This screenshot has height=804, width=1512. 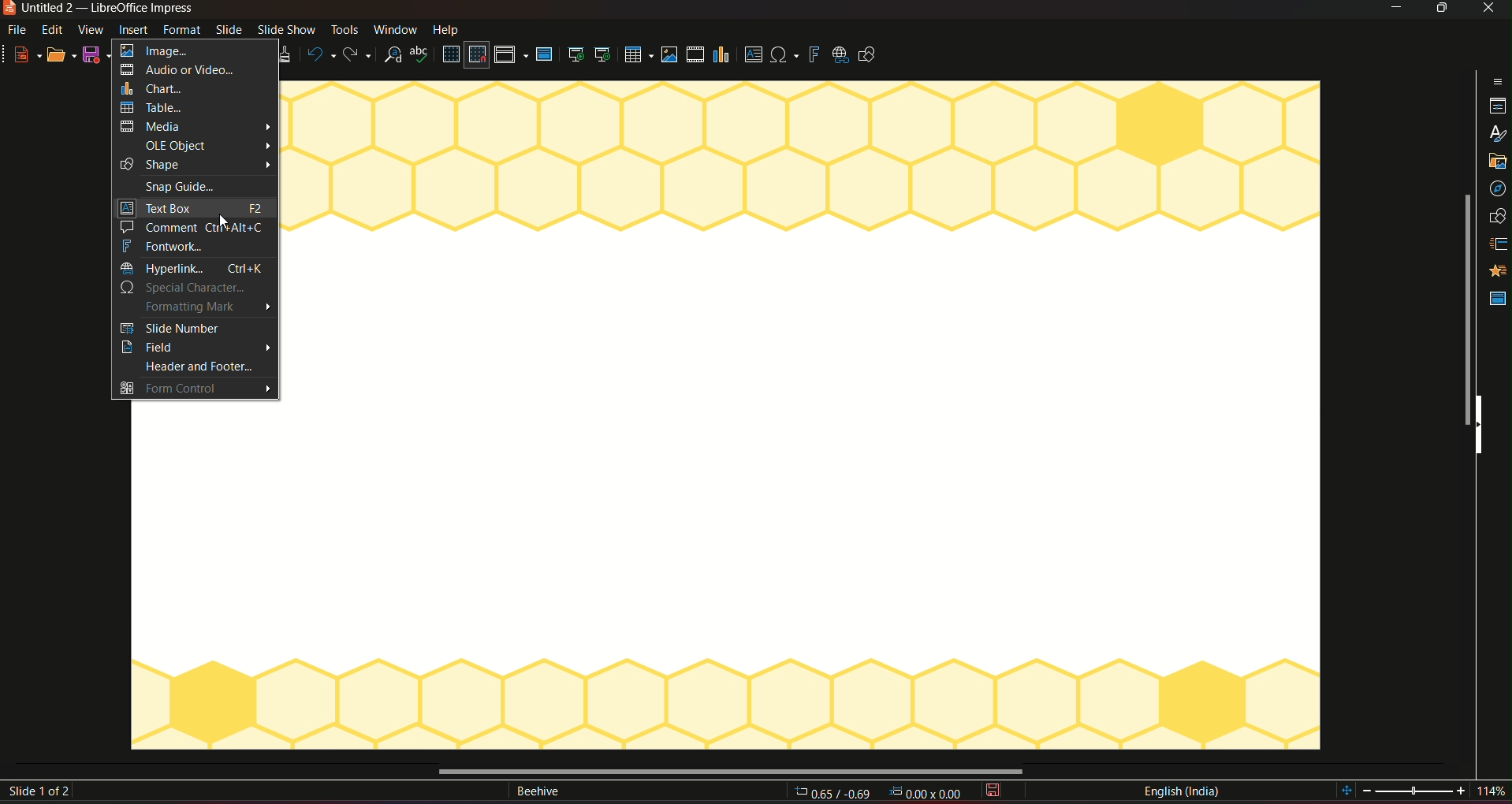 What do you see at coordinates (20, 31) in the screenshot?
I see `file` at bounding box center [20, 31].